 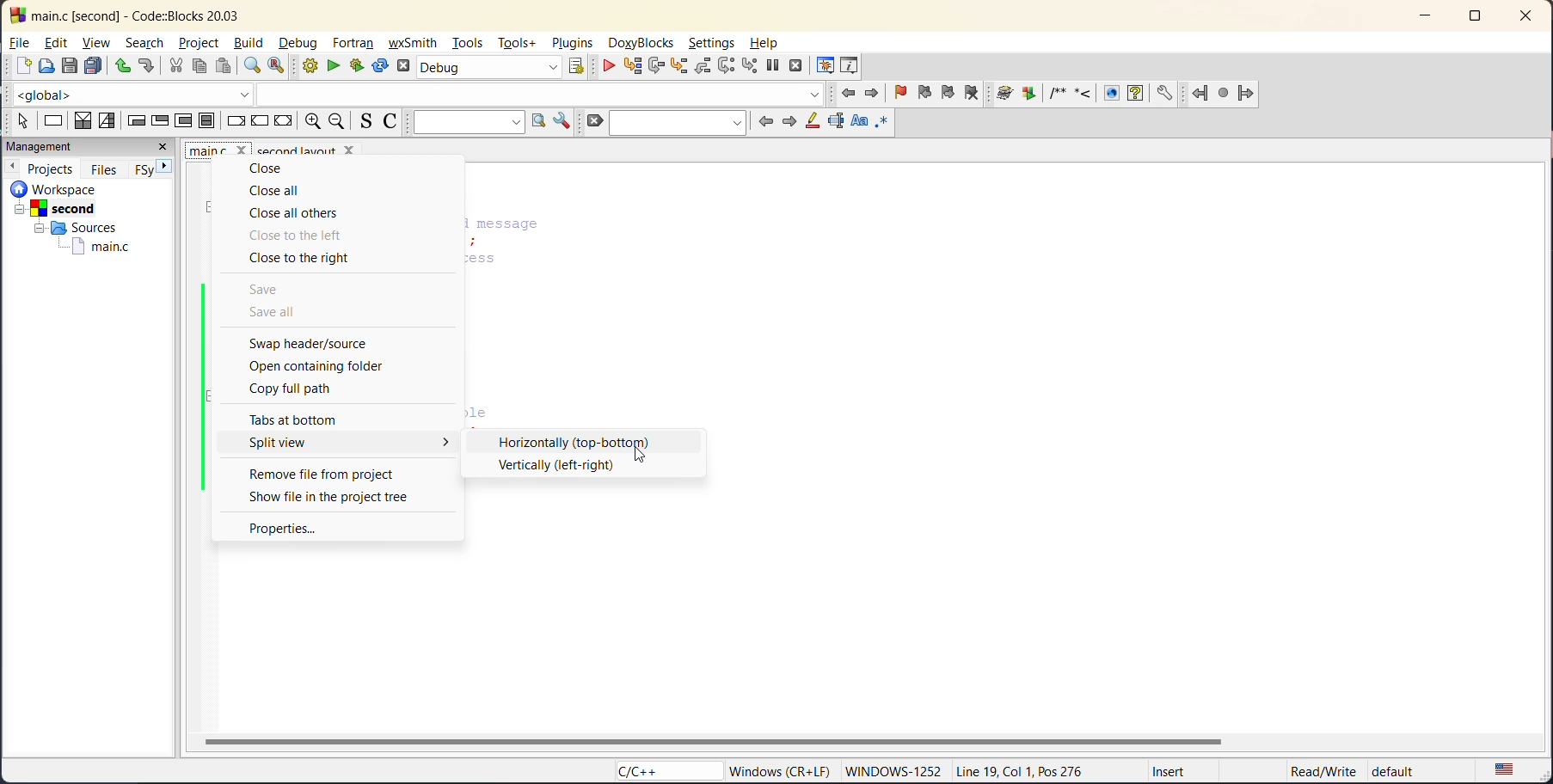 I want to click on decision, so click(x=82, y=119).